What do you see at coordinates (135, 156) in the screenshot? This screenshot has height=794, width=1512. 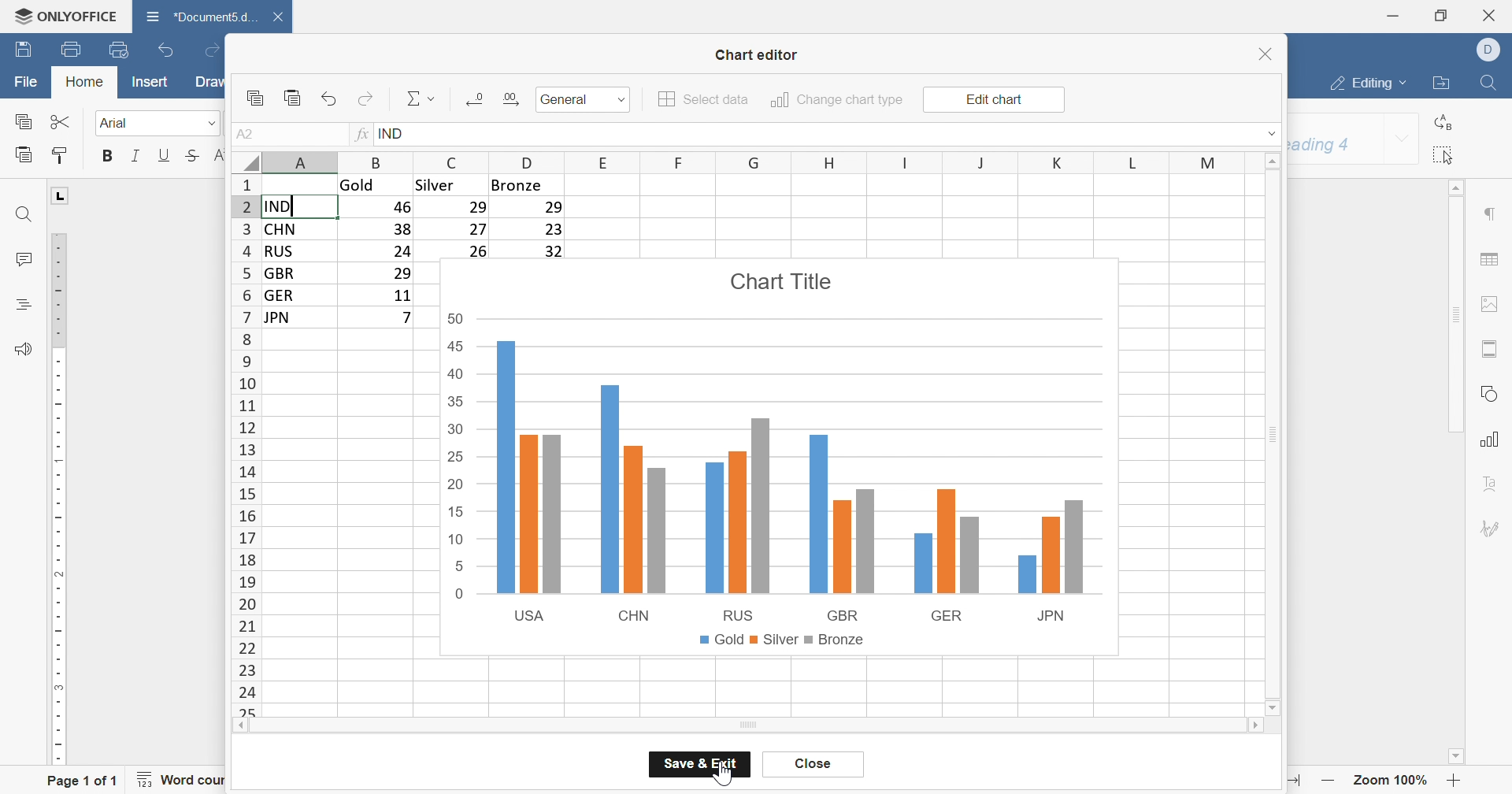 I see `italic` at bounding box center [135, 156].